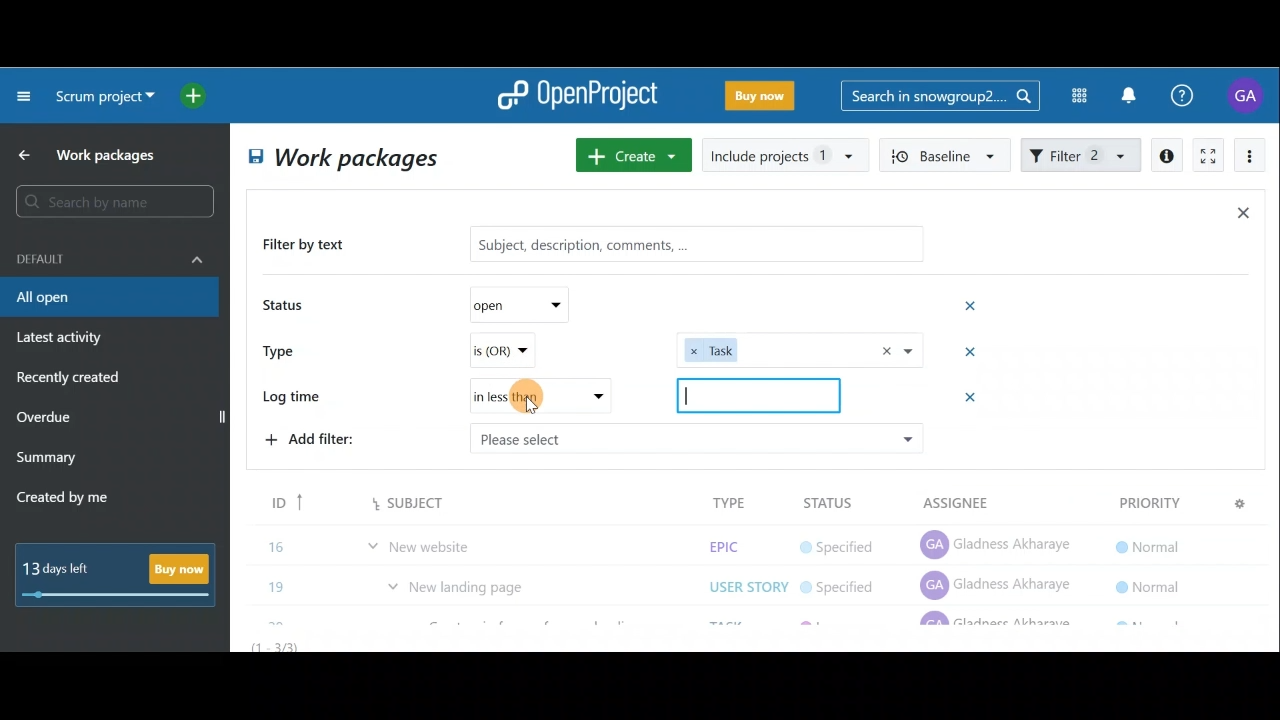 This screenshot has width=1280, height=720. I want to click on Close, so click(1242, 217).